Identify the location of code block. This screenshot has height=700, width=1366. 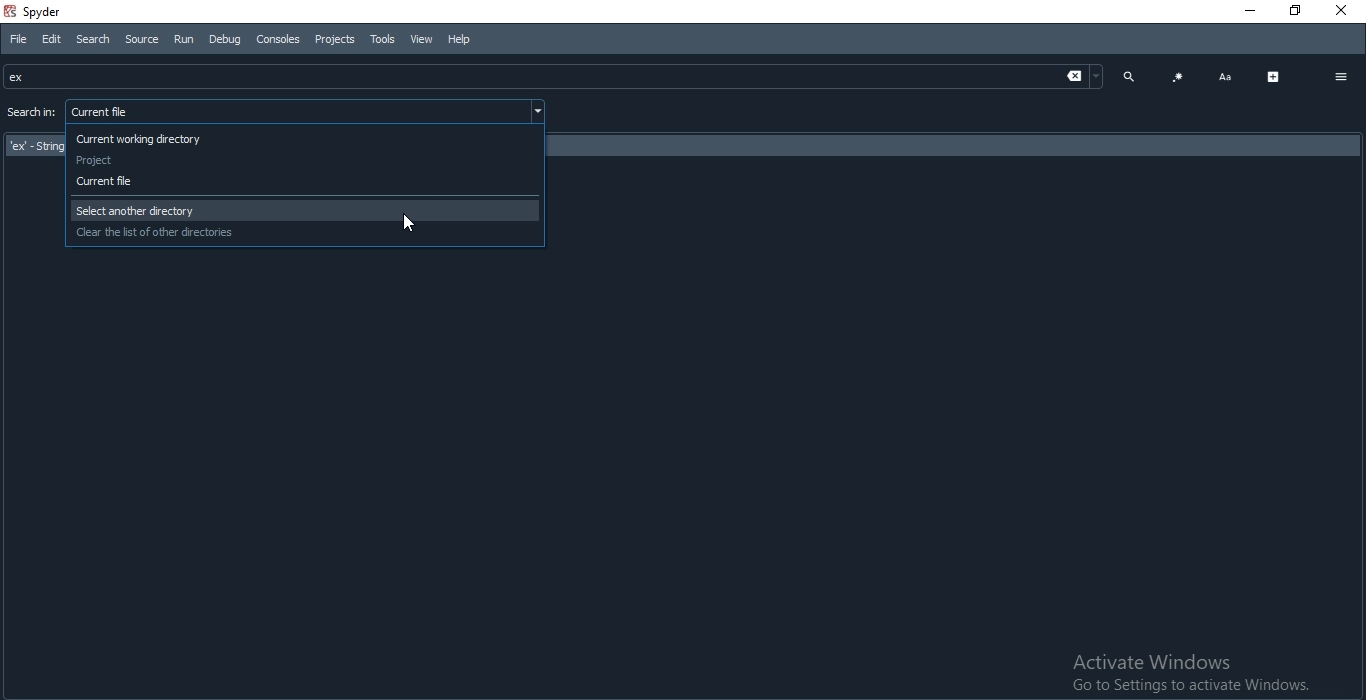
(1178, 78).